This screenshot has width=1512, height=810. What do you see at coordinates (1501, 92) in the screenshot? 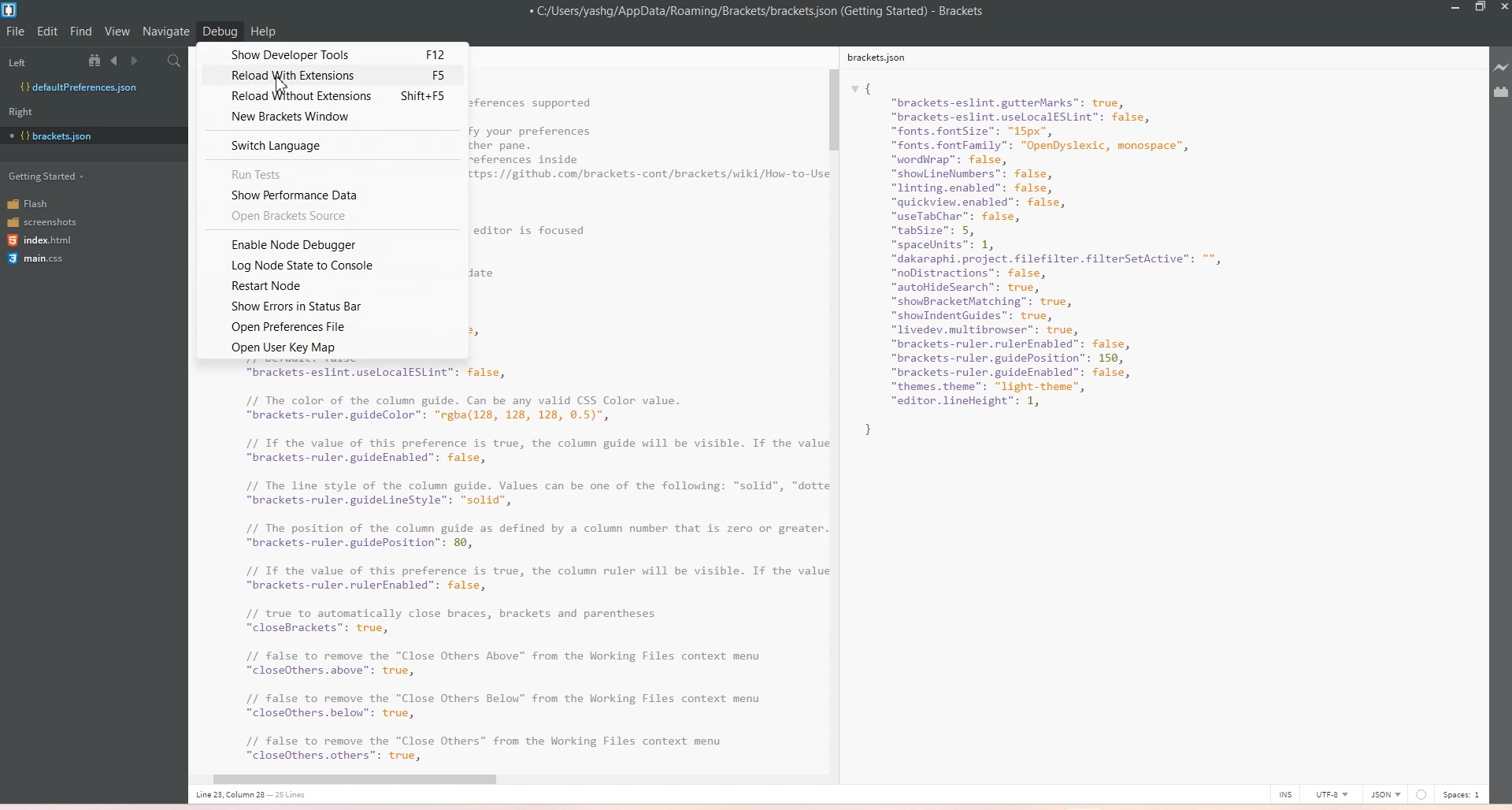
I see `Extension Manager` at bounding box center [1501, 92].